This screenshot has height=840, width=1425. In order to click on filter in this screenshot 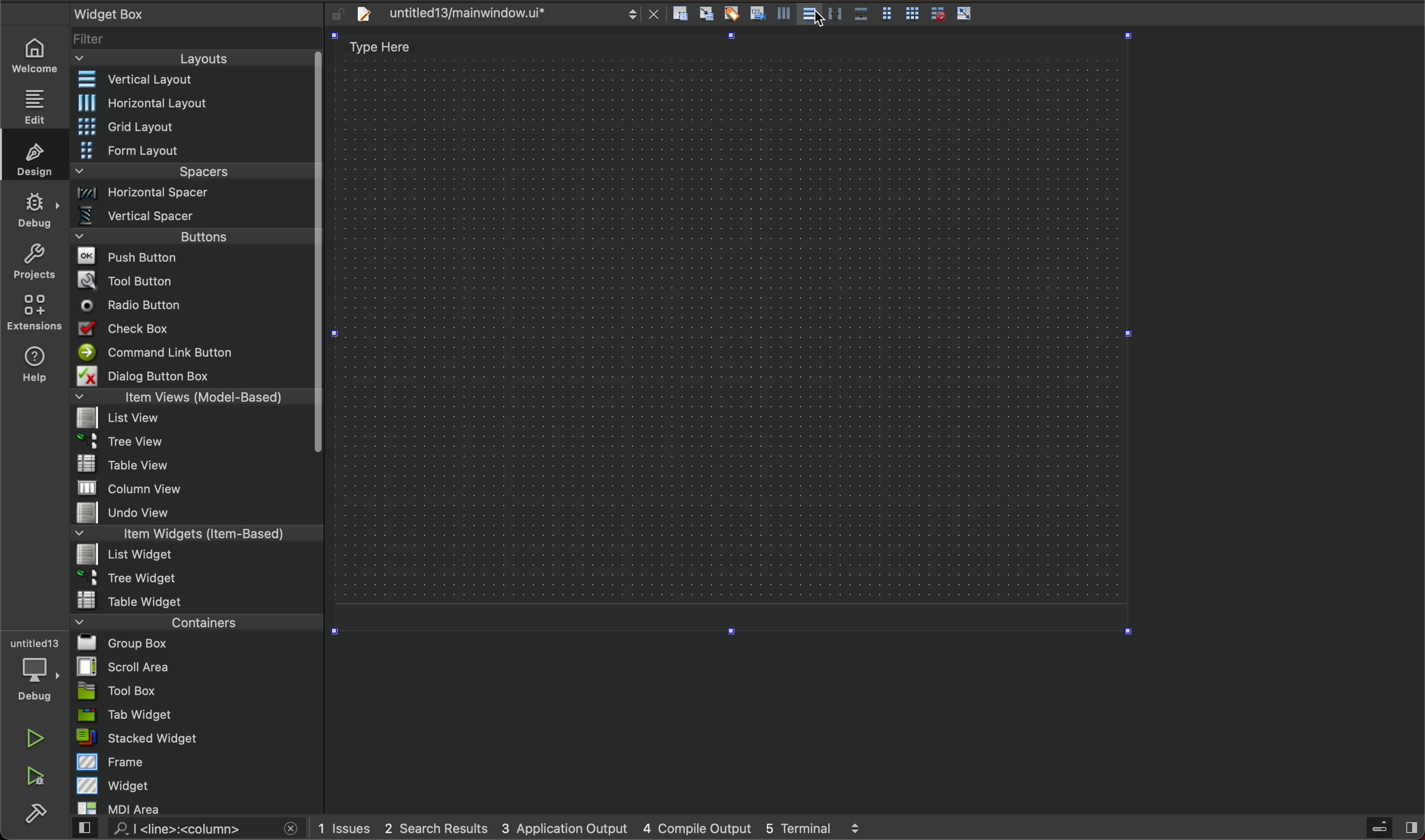, I will do `click(196, 39)`.